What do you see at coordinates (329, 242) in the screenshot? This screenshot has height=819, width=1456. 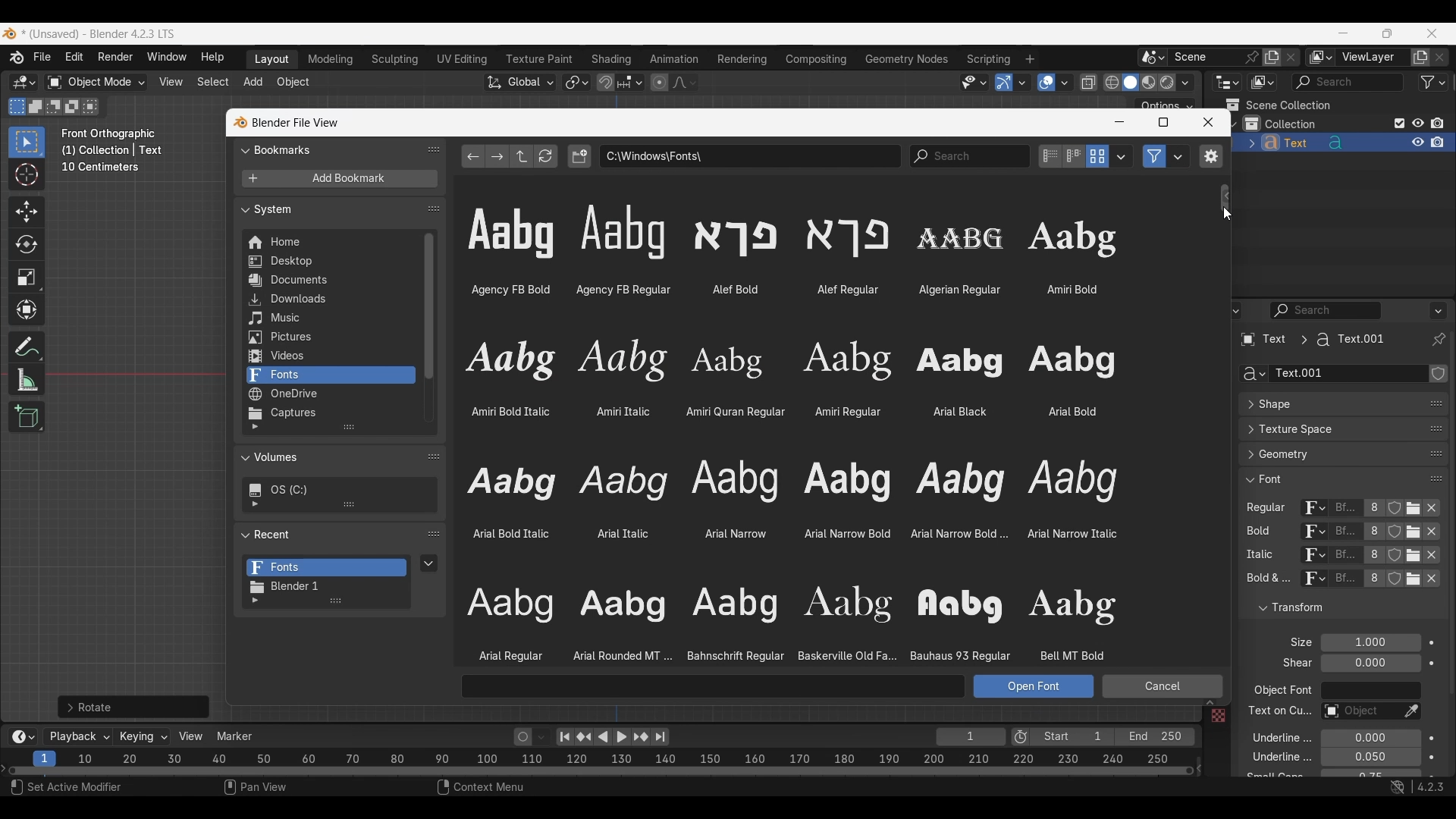 I see `Home folder` at bounding box center [329, 242].